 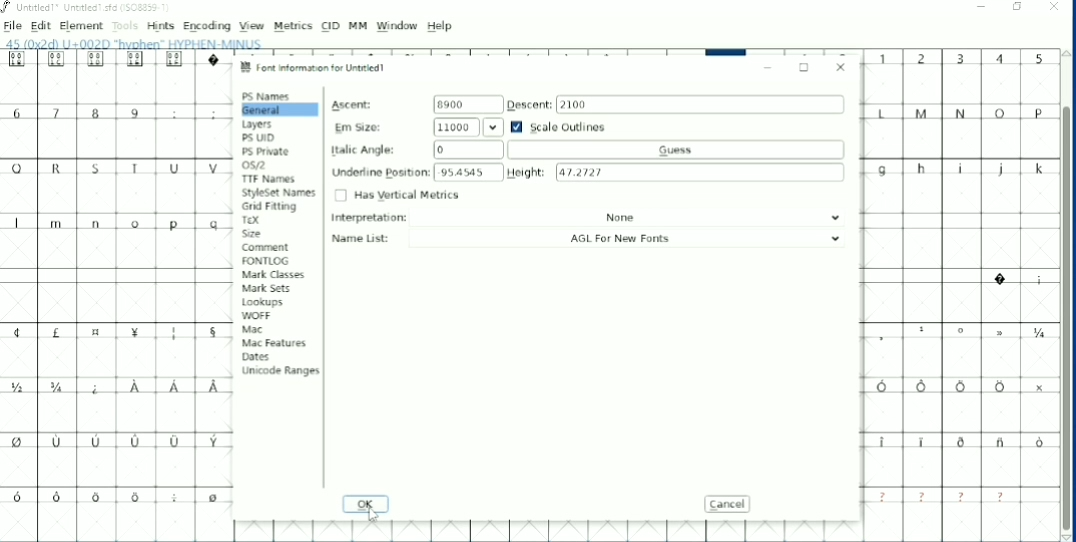 What do you see at coordinates (271, 207) in the screenshot?
I see `Grid Fitting` at bounding box center [271, 207].